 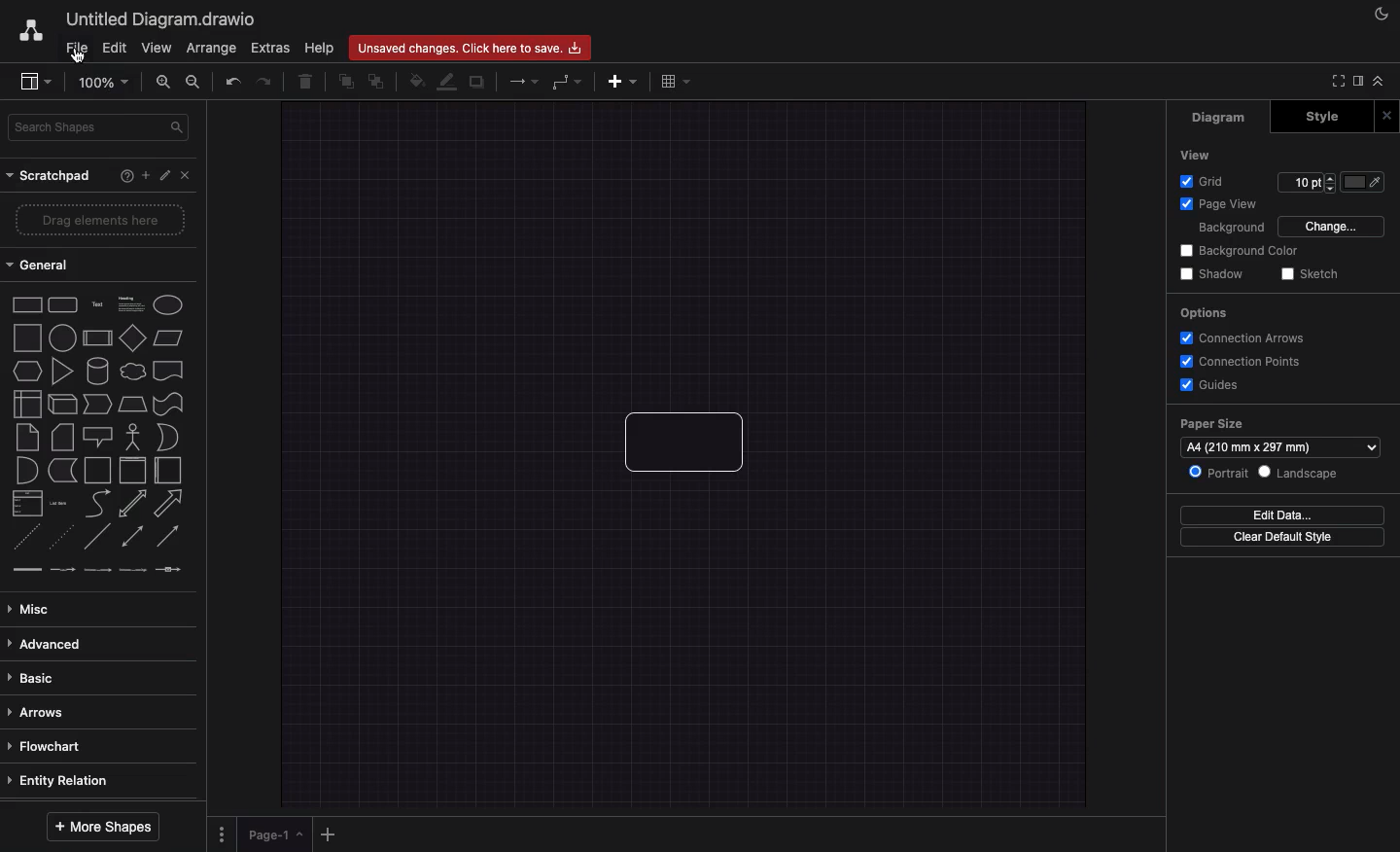 What do you see at coordinates (274, 836) in the screenshot?
I see `Page 1` at bounding box center [274, 836].